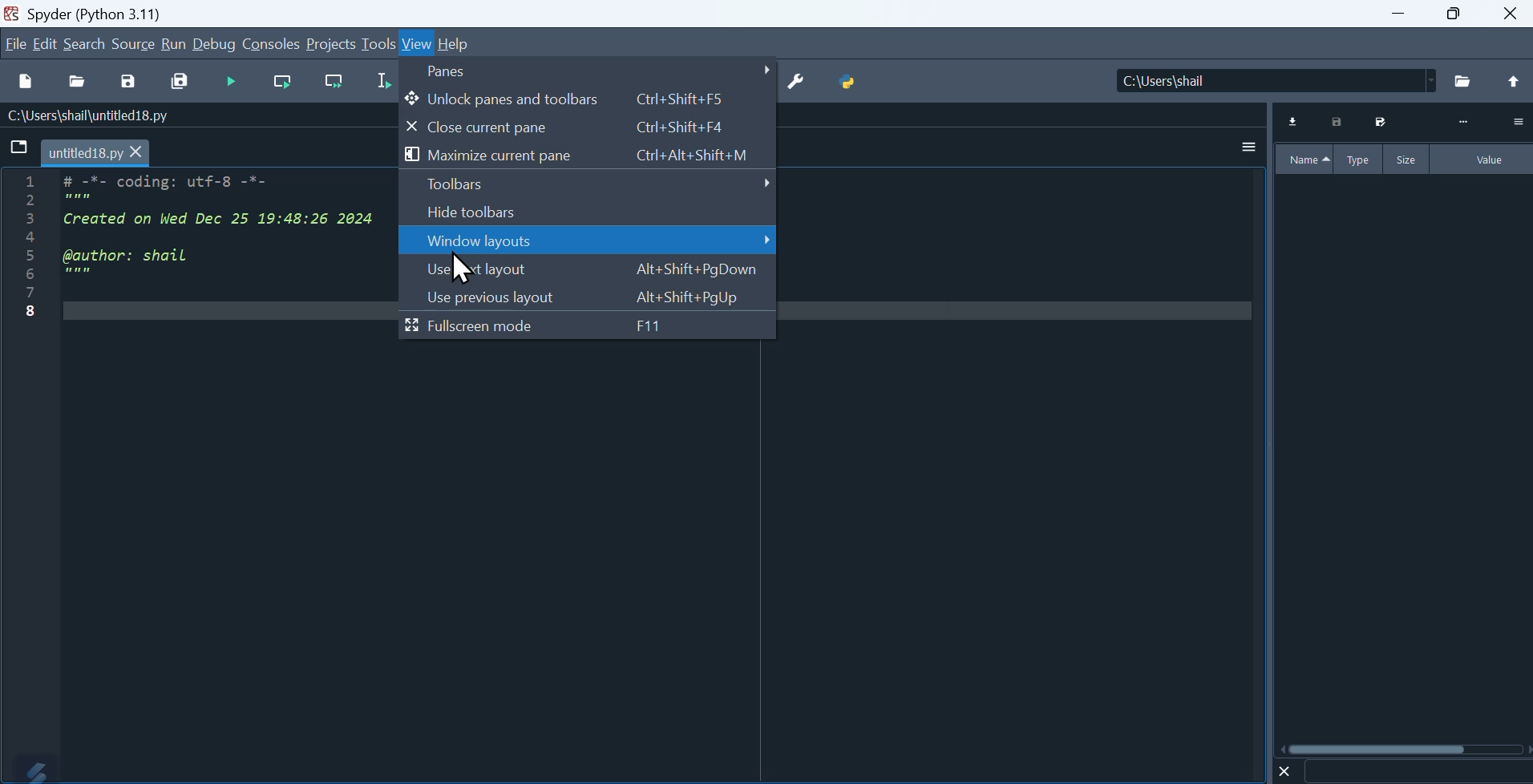 Image resolution: width=1533 pixels, height=784 pixels. I want to click on Preferences, so click(796, 83).